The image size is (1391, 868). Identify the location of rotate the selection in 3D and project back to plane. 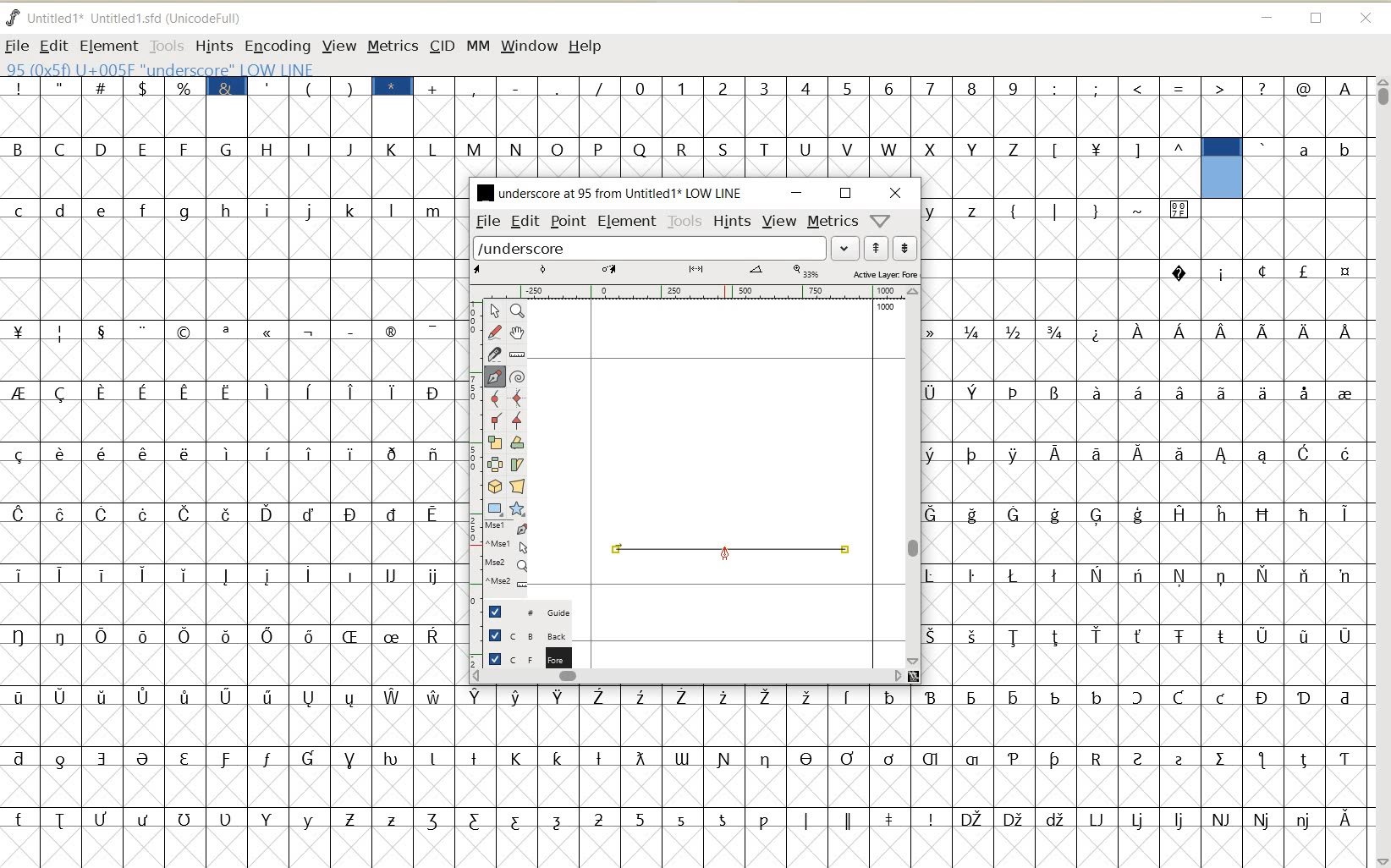
(494, 486).